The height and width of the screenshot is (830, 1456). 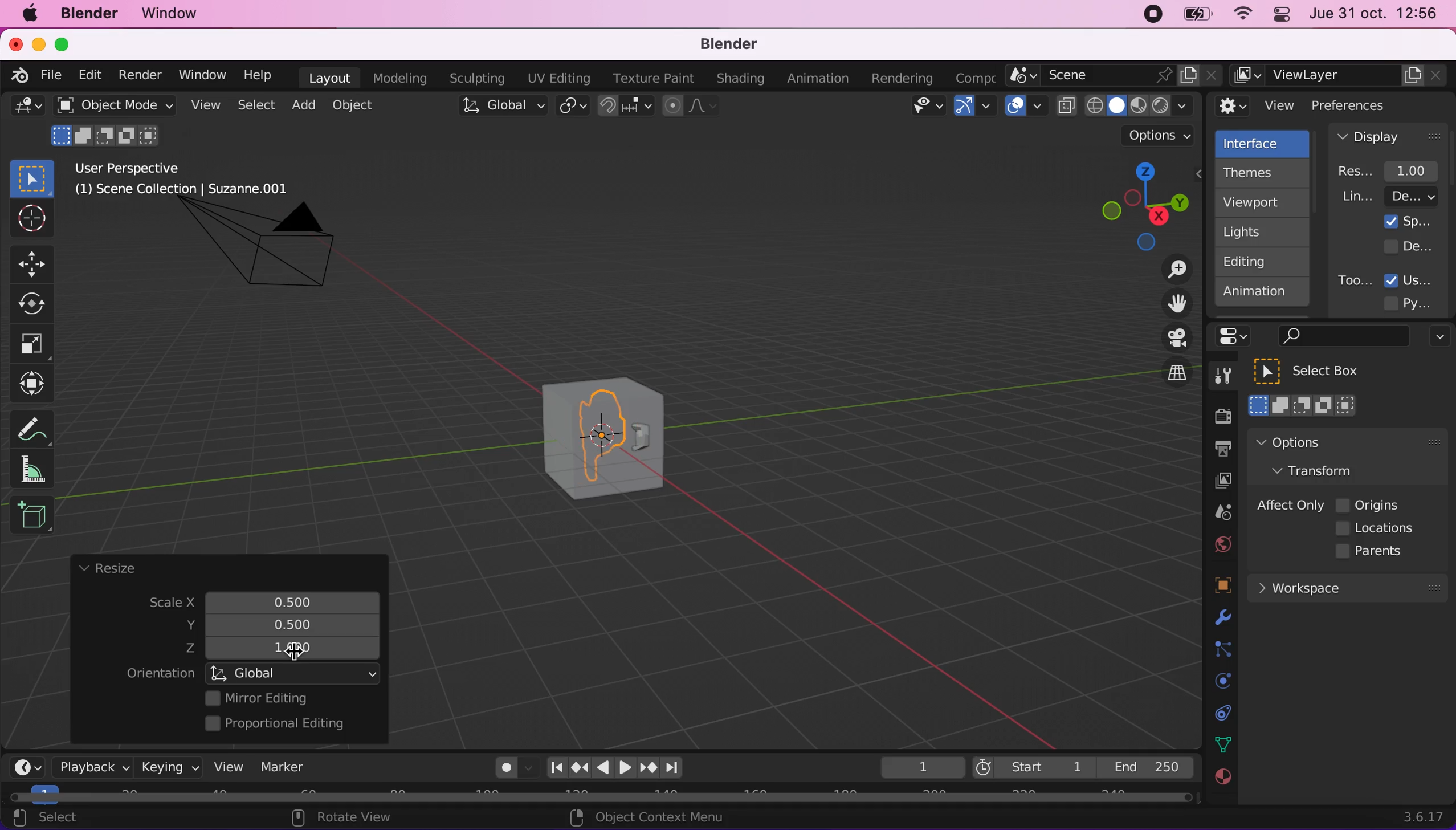 What do you see at coordinates (1288, 505) in the screenshot?
I see `affect only` at bounding box center [1288, 505].